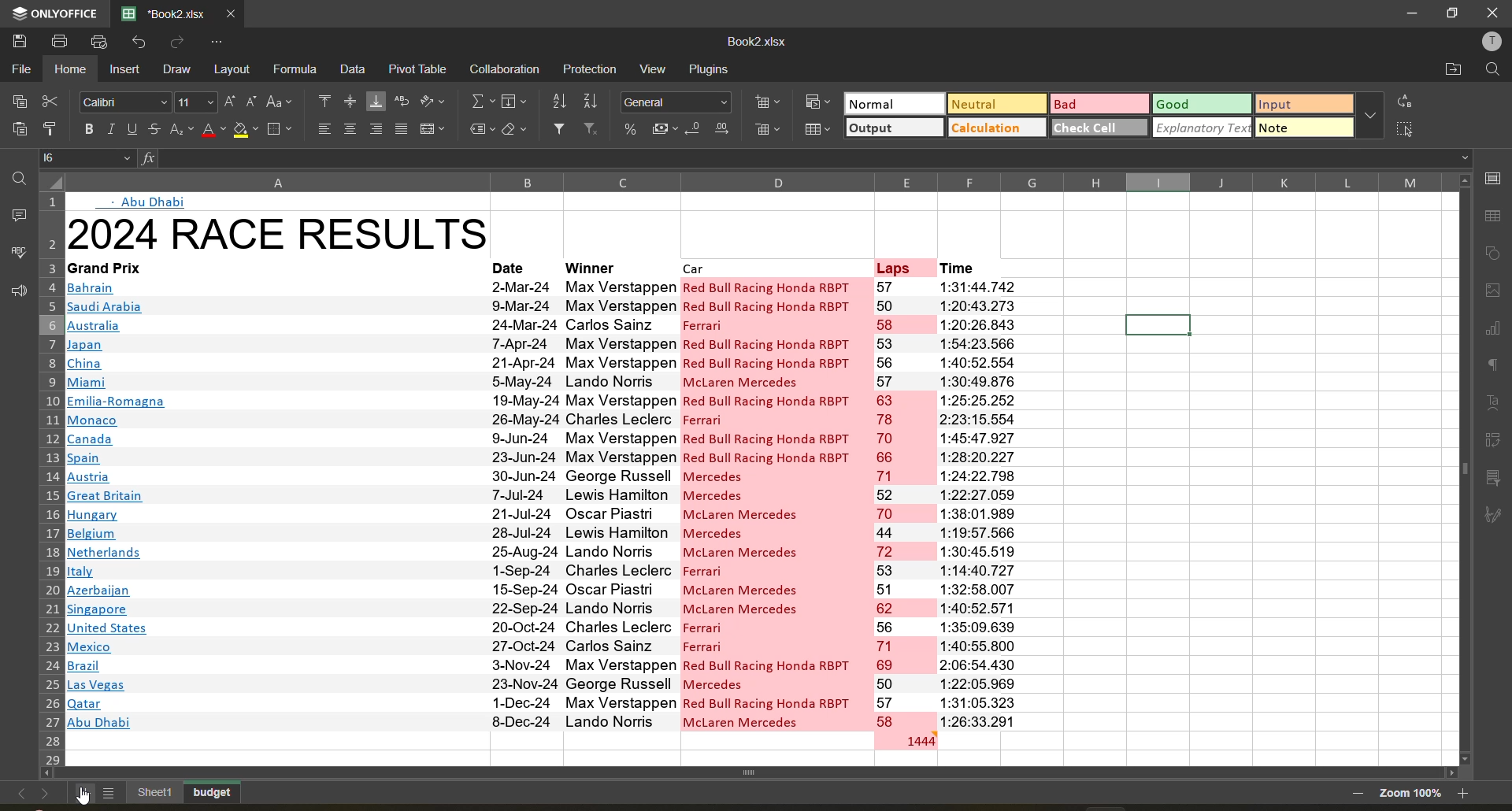 The width and height of the screenshot is (1512, 811). Describe the element at coordinates (279, 235) in the screenshot. I see `title` at that location.